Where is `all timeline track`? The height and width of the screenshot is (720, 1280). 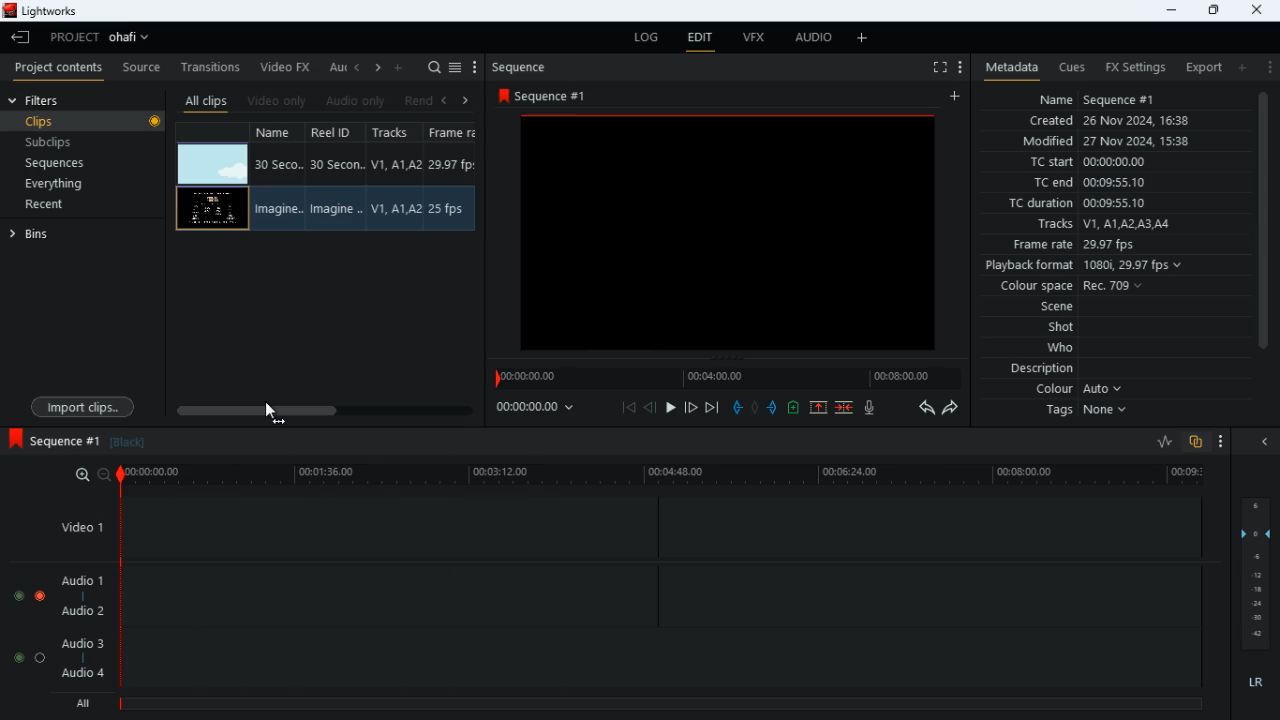
all timeline track is located at coordinates (664, 700).